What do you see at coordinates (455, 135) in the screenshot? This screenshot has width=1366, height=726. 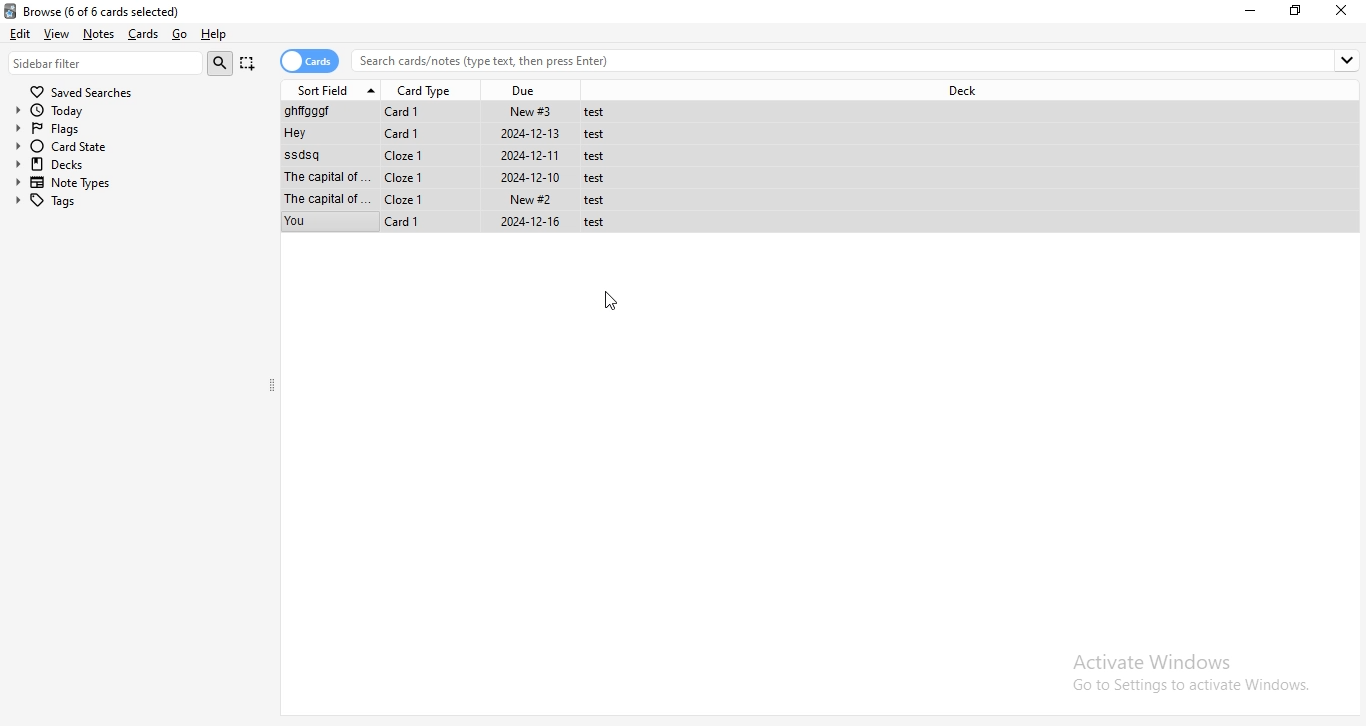 I see `File` at bounding box center [455, 135].